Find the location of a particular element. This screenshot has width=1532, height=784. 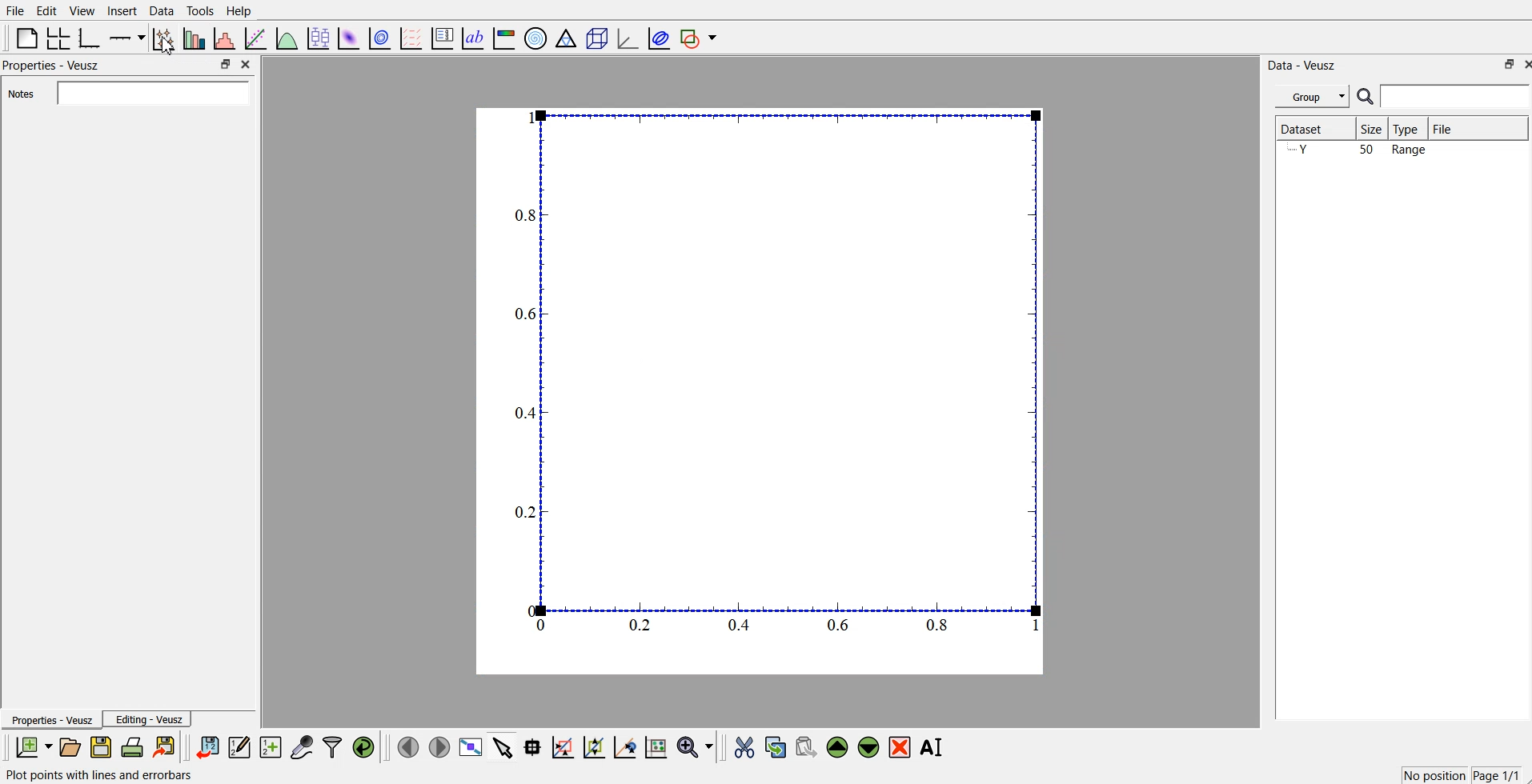

Insert is located at coordinates (122, 10).